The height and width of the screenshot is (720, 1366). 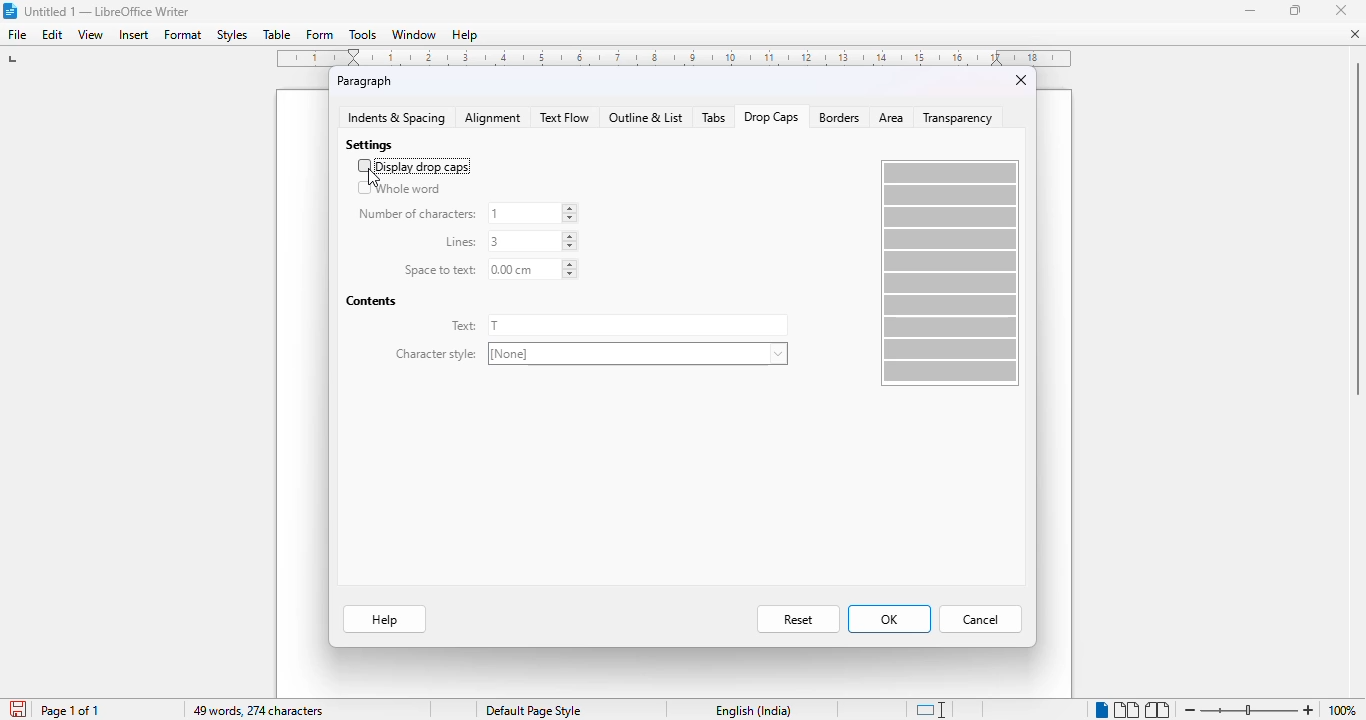 I want to click on maximize, so click(x=1297, y=10).